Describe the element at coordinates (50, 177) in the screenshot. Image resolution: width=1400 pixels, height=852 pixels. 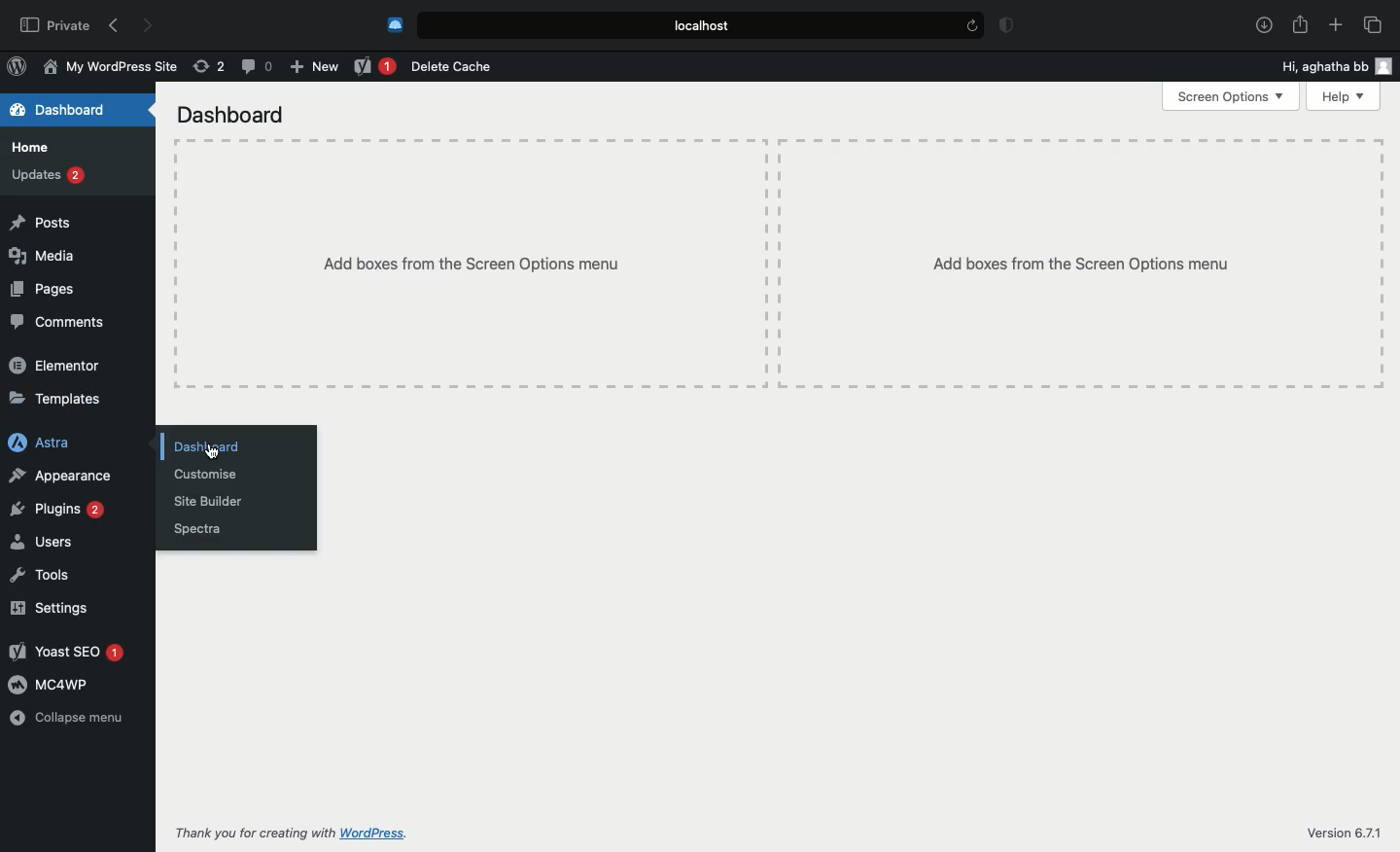
I see `Updates 2` at that location.